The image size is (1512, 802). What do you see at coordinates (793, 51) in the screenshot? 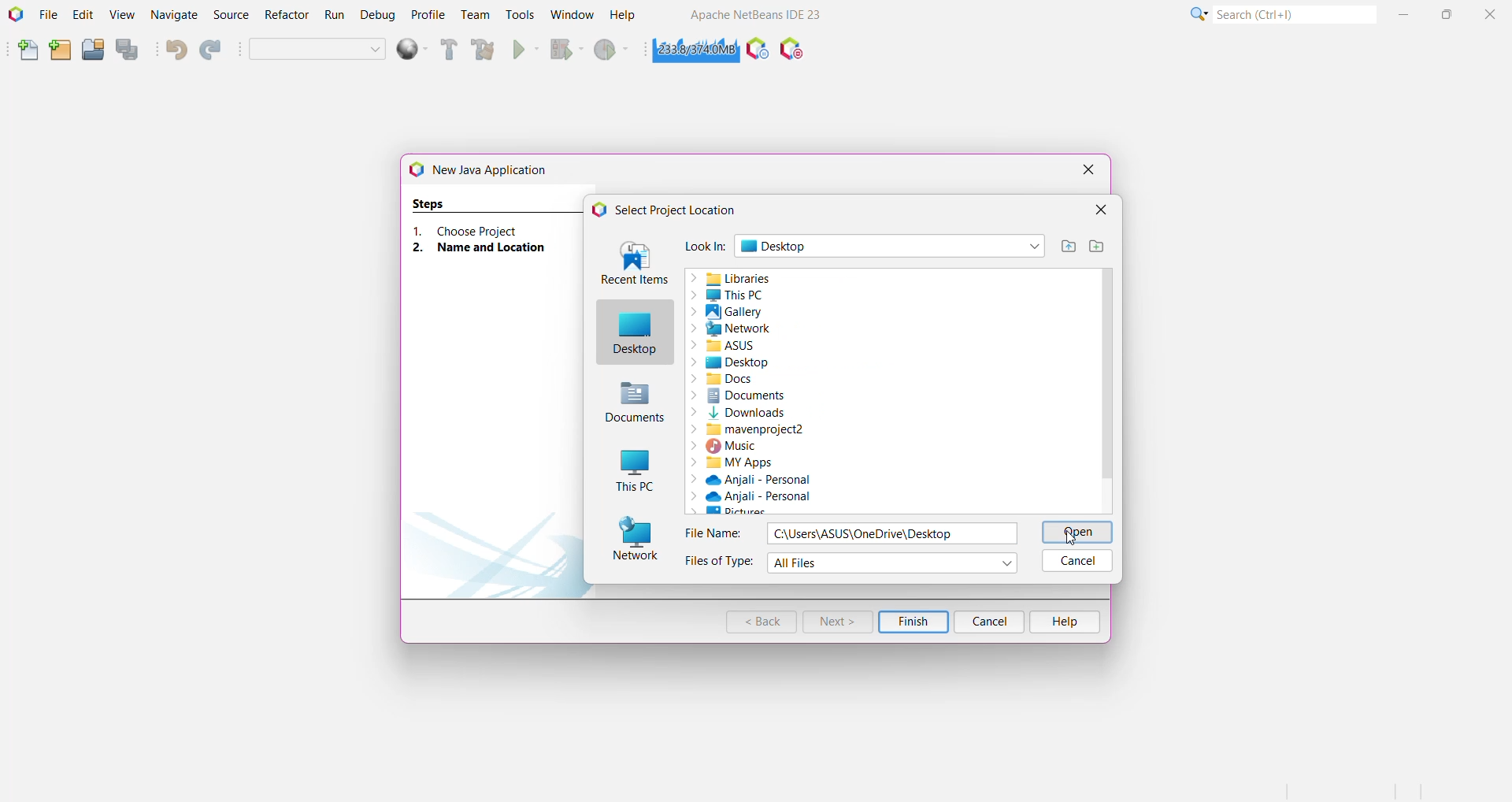
I see `Pause I/O Checks` at bounding box center [793, 51].